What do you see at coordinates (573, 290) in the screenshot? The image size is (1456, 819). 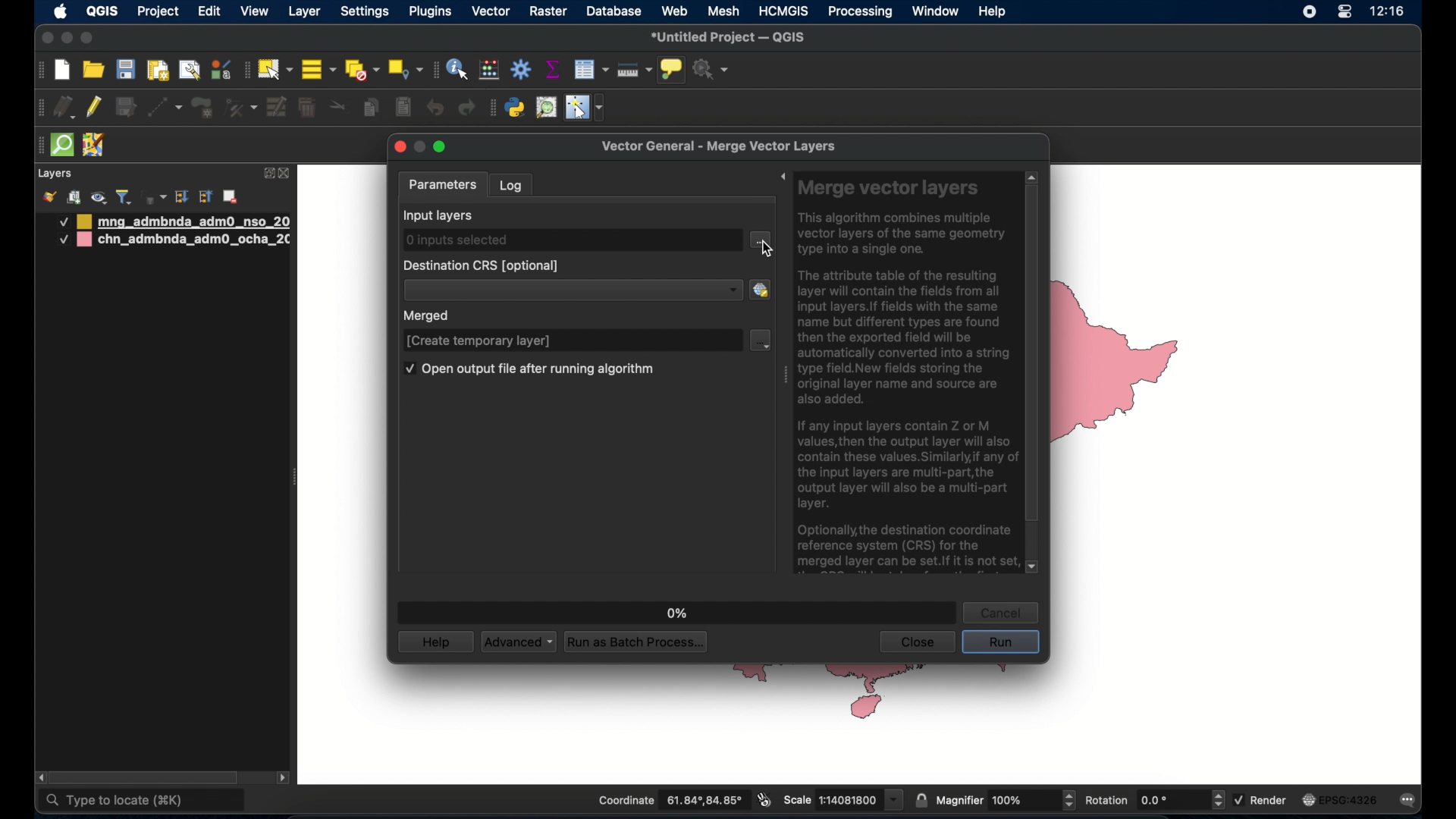 I see `dropdown menu` at bounding box center [573, 290].